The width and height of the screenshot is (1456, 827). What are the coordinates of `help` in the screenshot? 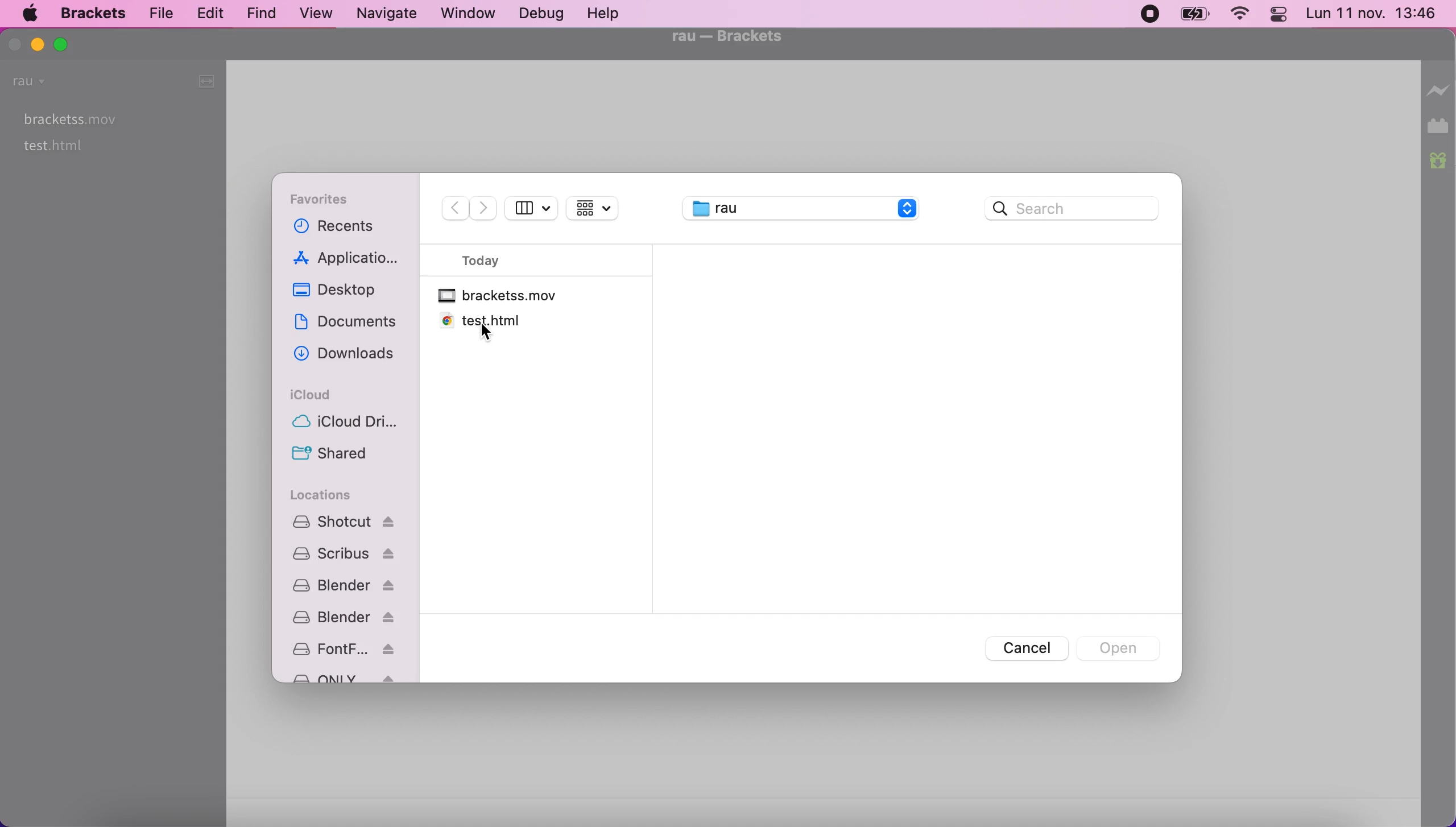 It's located at (609, 13).